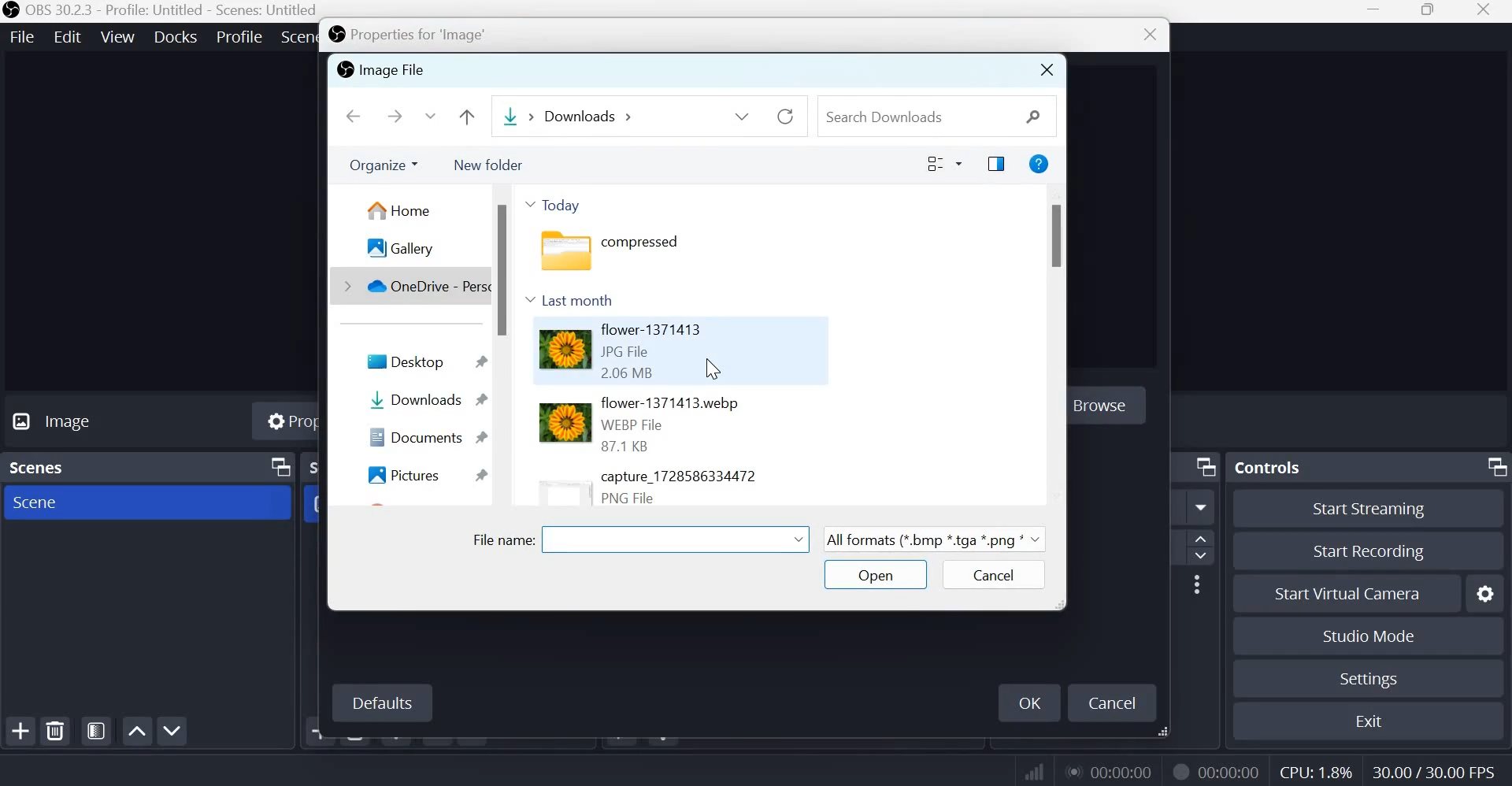  What do you see at coordinates (398, 210) in the screenshot?
I see `home` at bounding box center [398, 210].